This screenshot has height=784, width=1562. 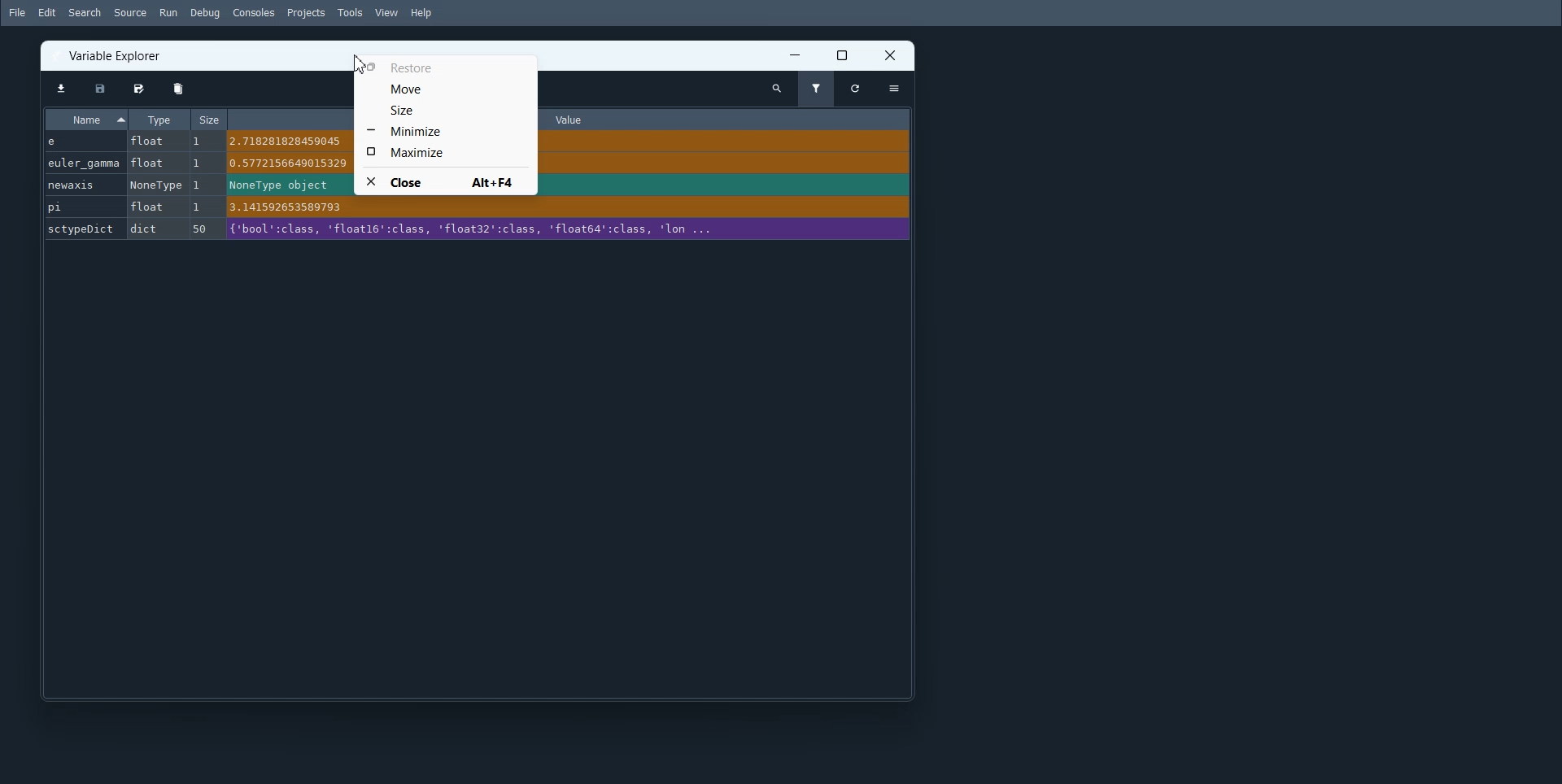 I want to click on Options, so click(x=894, y=89).